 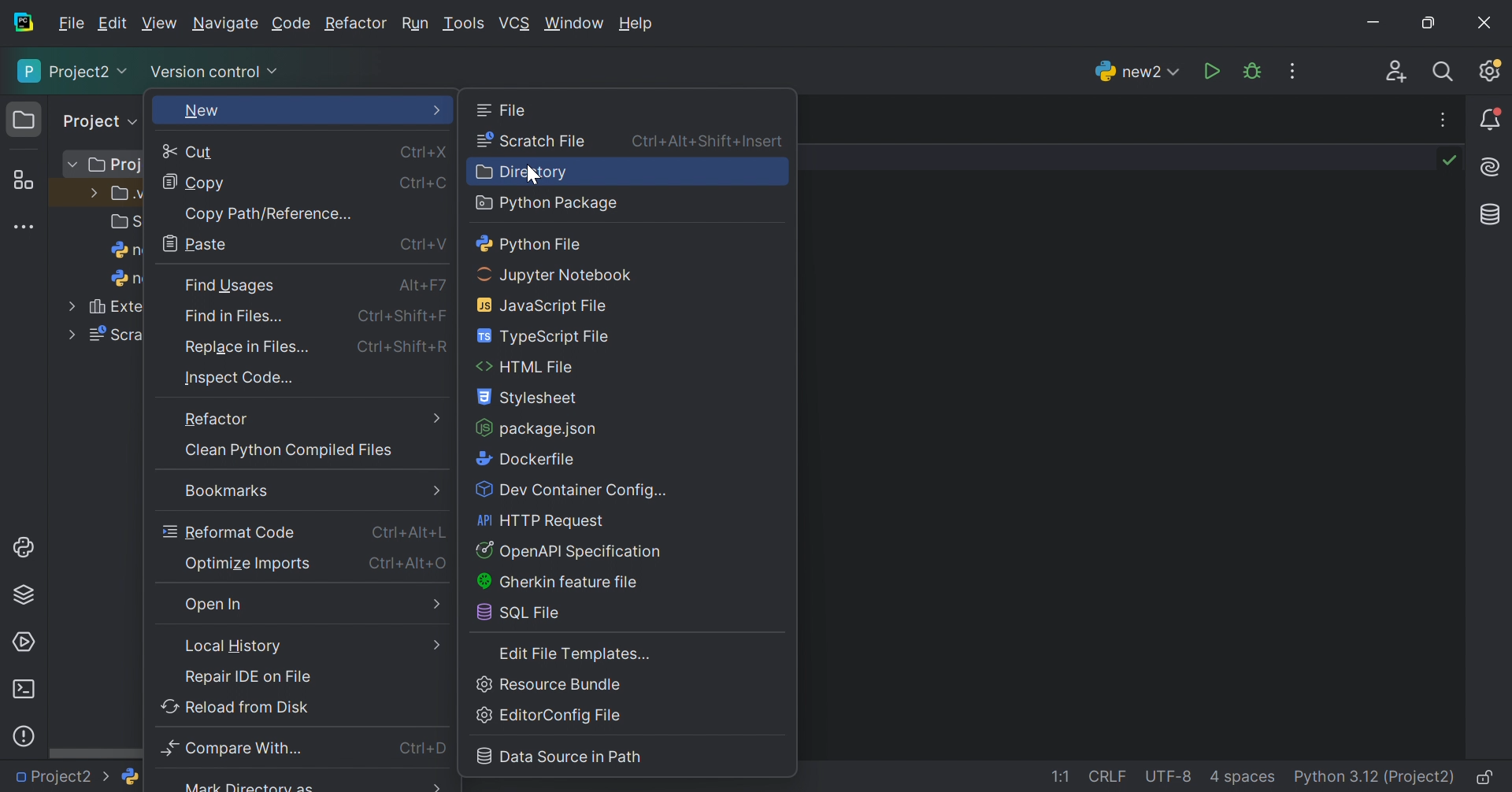 I want to click on Reformat code, so click(x=230, y=532).